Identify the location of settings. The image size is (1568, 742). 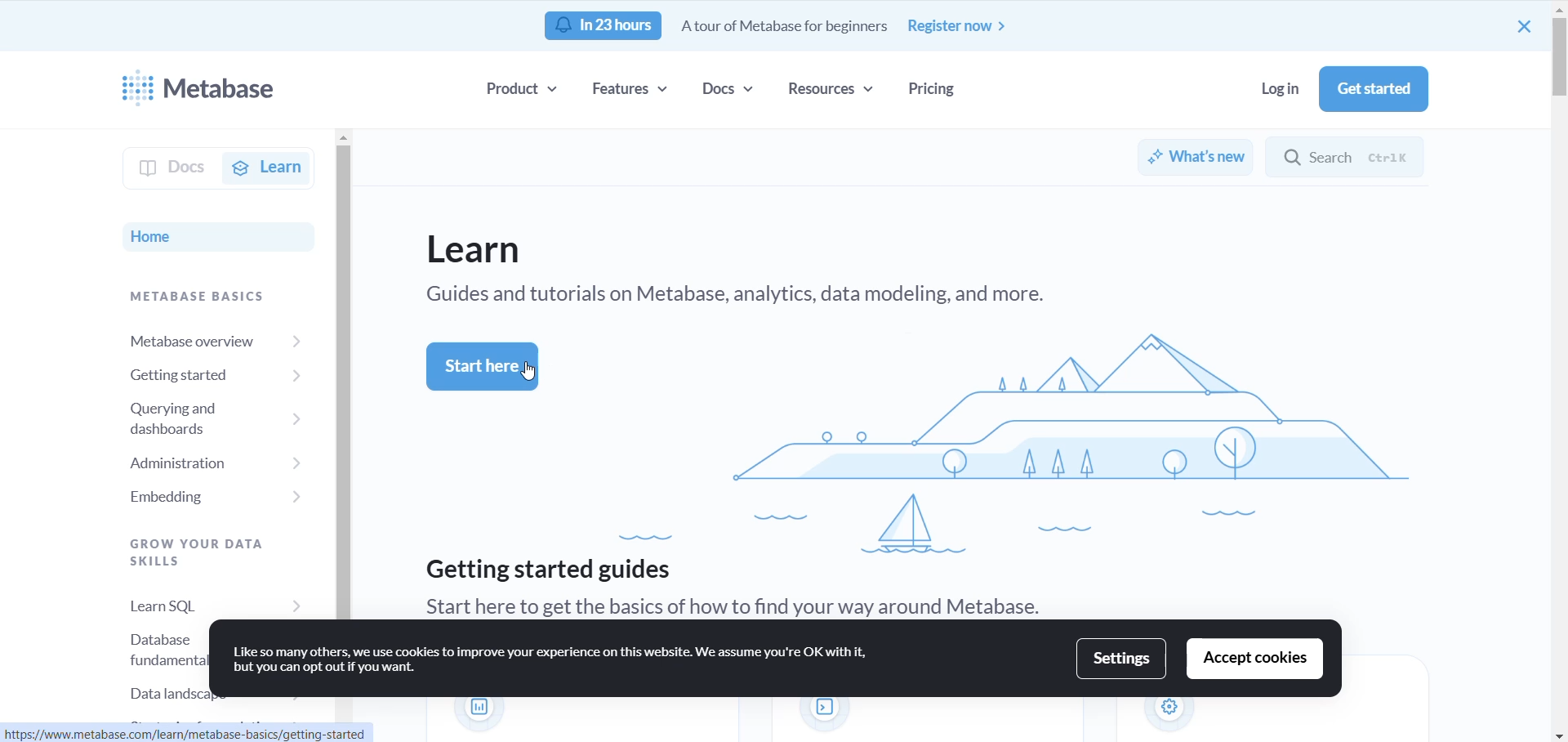
(1123, 659).